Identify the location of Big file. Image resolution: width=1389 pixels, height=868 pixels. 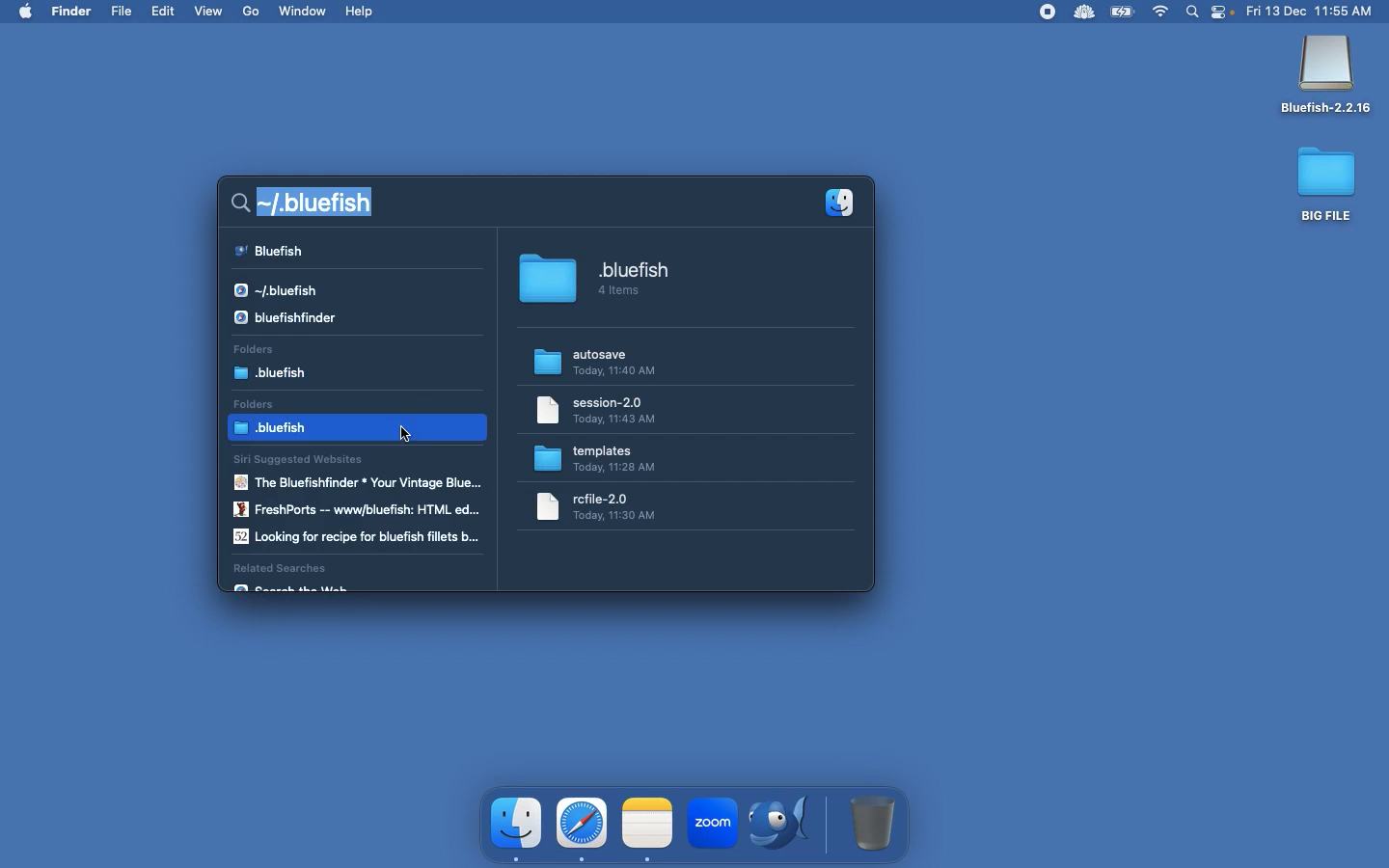
(1327, 183).